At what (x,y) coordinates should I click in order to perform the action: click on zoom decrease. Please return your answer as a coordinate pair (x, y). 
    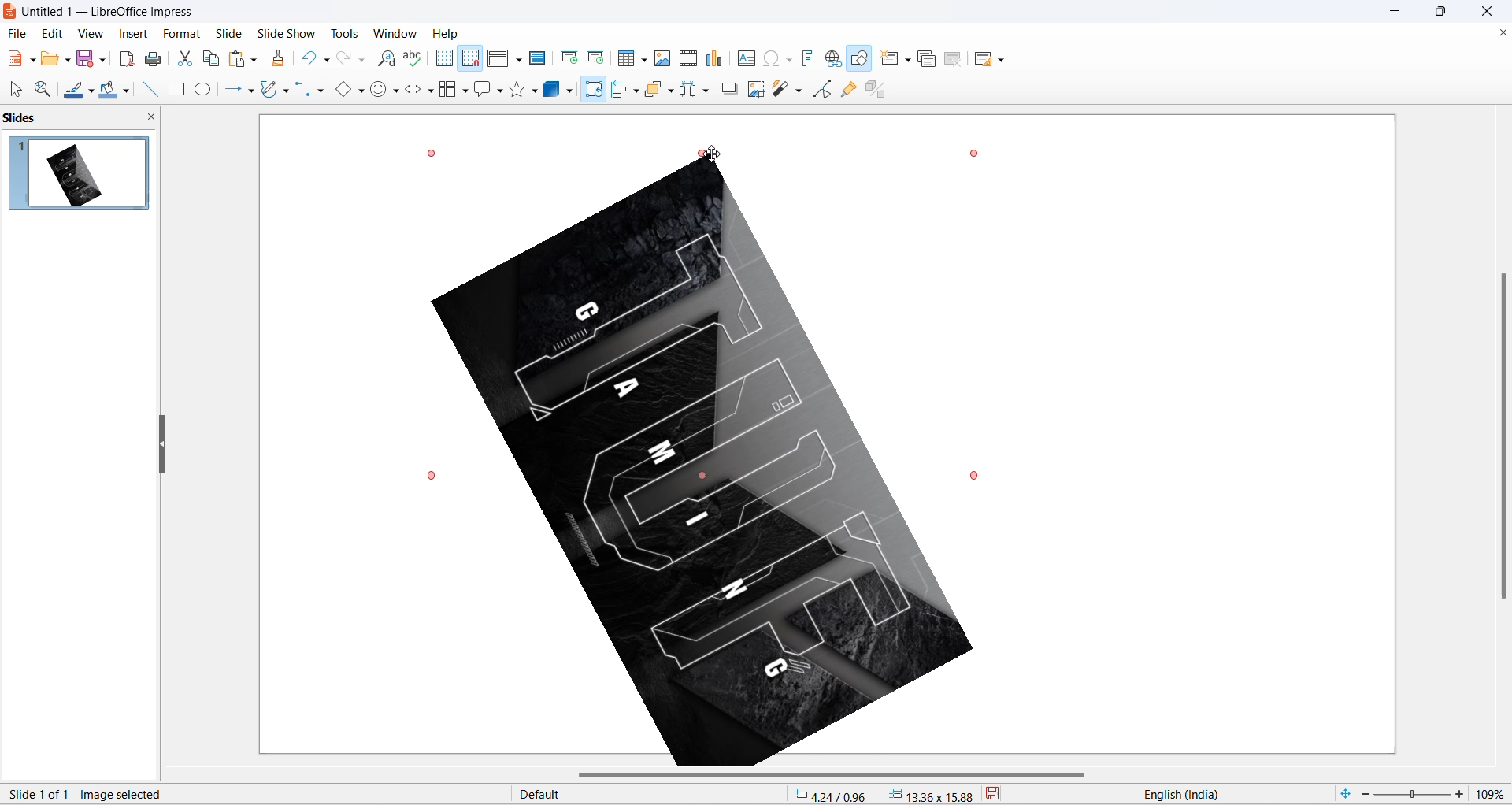
    Looking at the image, I should click on (1363, 796).